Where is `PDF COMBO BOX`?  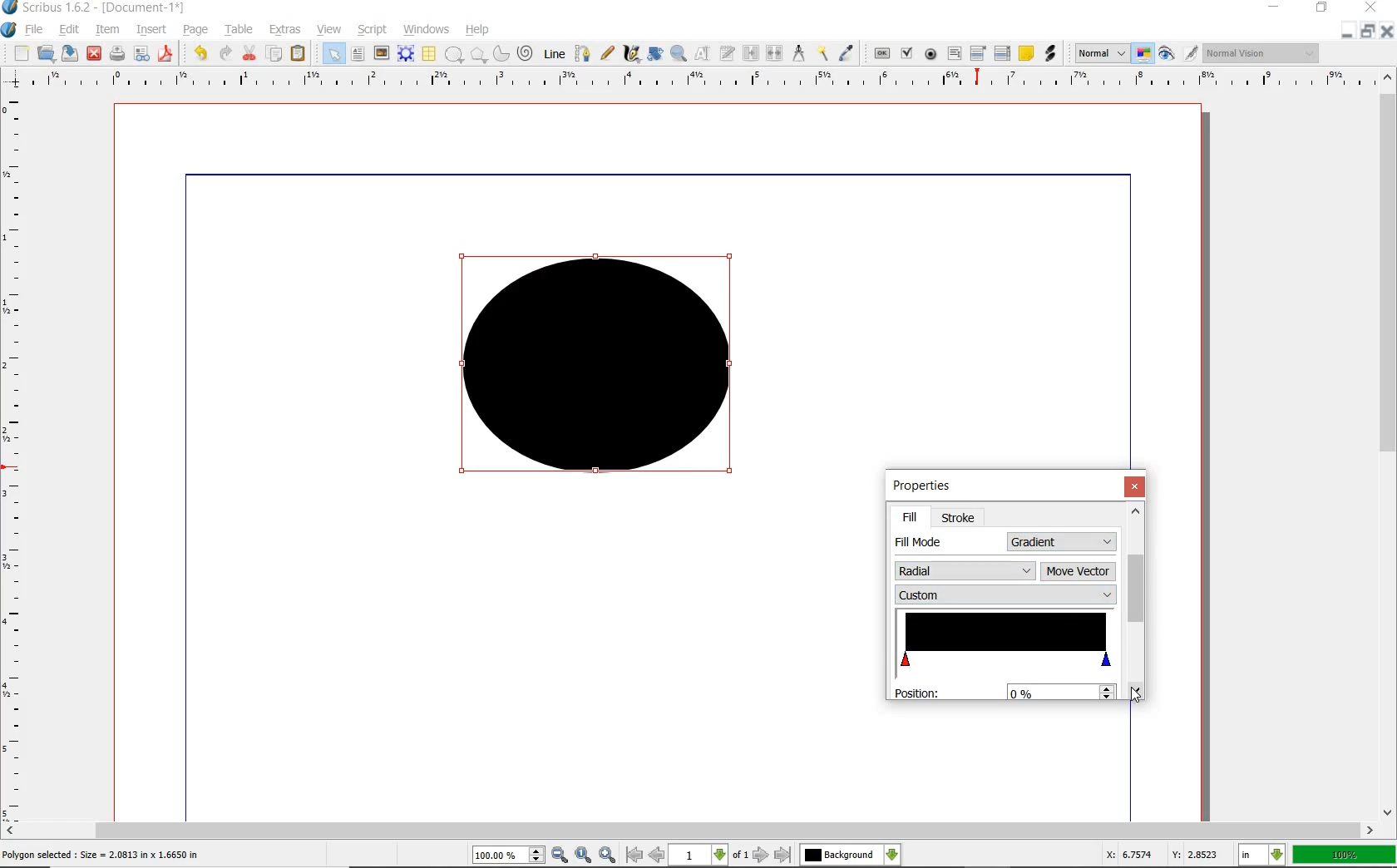 PDF COMBO BOX is located at coordinates (977, 52).